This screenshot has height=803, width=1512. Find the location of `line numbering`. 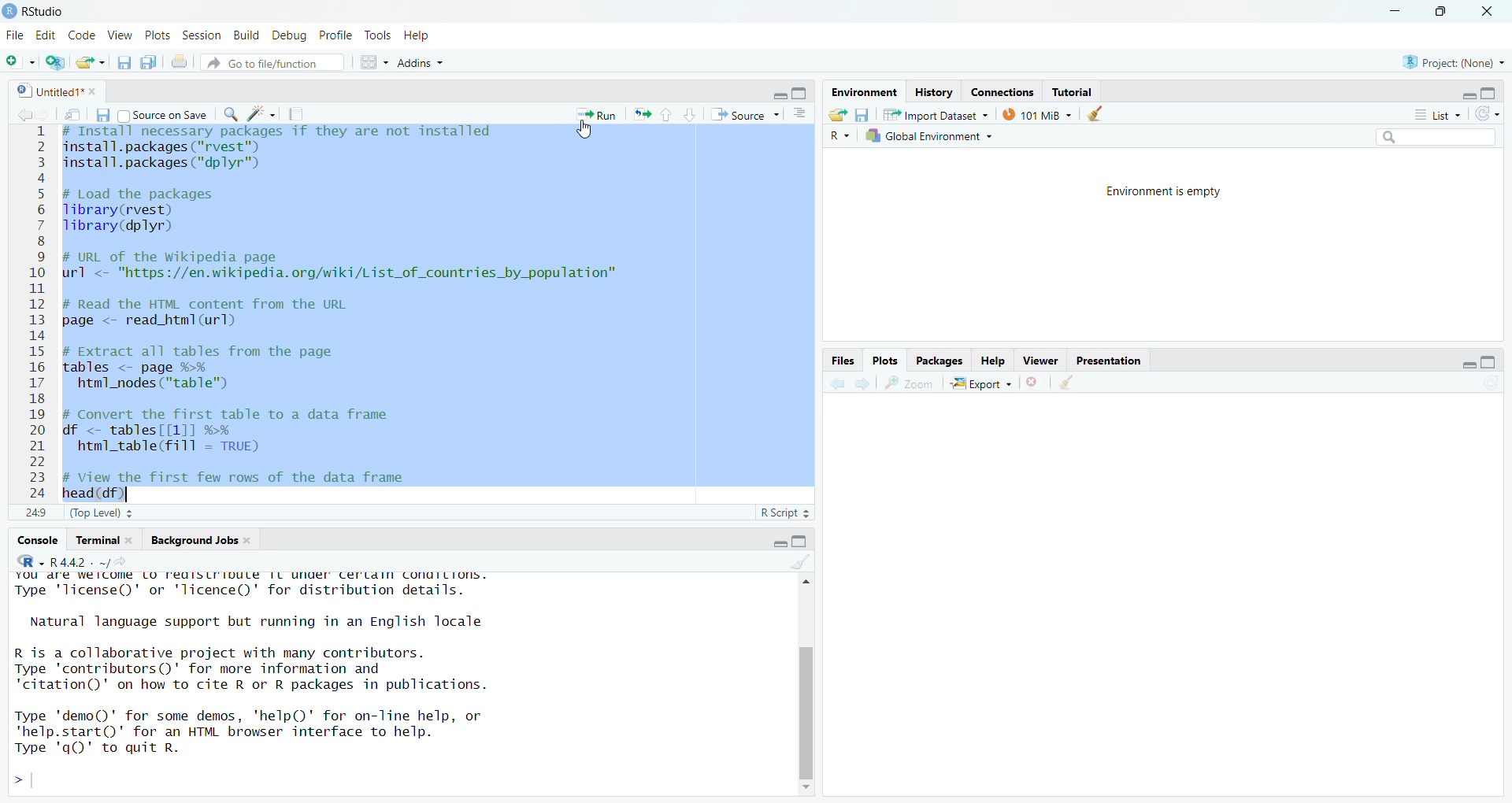

line numbering is located at coordinates (38, 313).